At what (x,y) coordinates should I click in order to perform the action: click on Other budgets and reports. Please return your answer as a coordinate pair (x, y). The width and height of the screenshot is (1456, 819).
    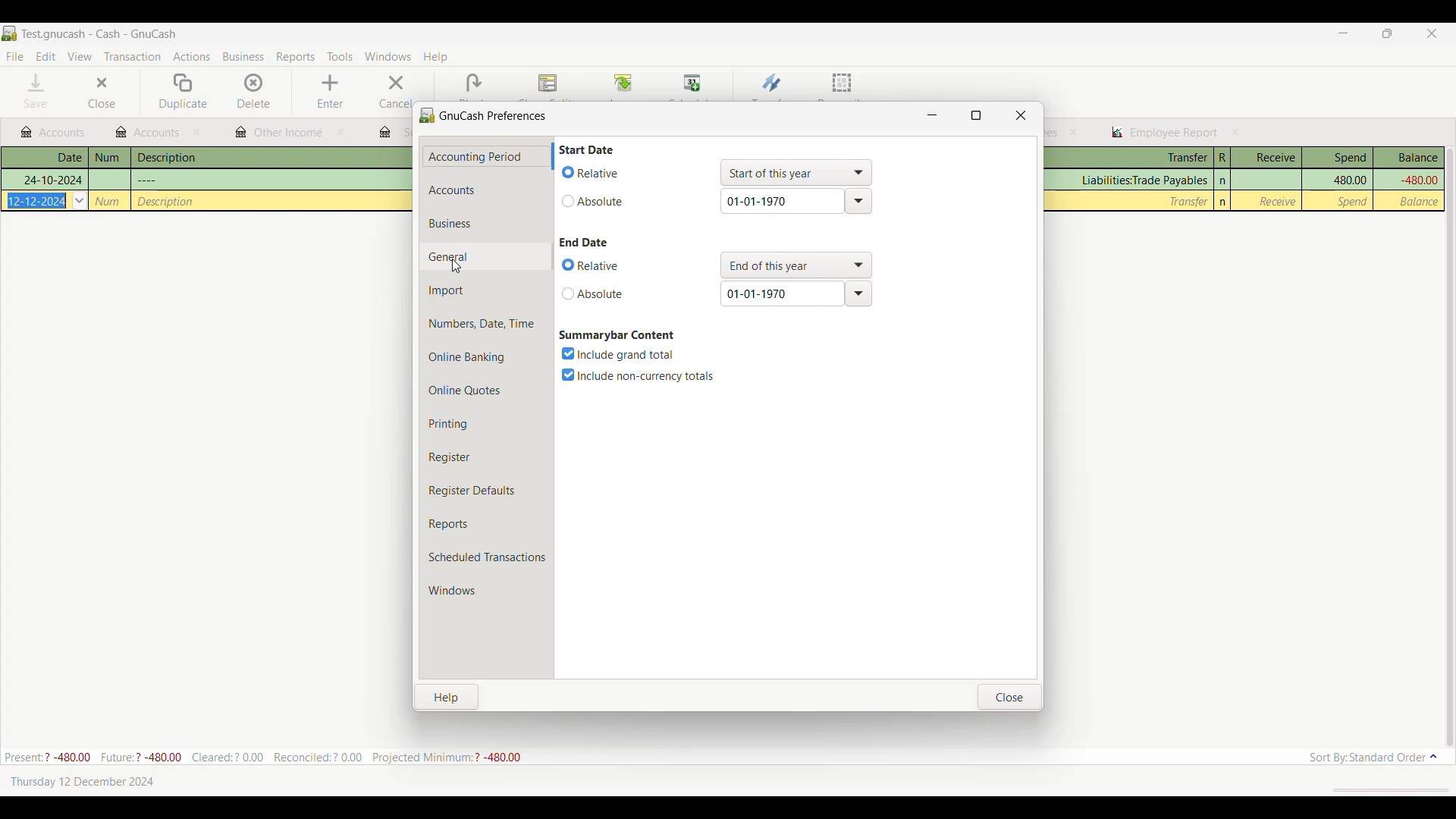
    Looking at the image, I should click on (148, 132).